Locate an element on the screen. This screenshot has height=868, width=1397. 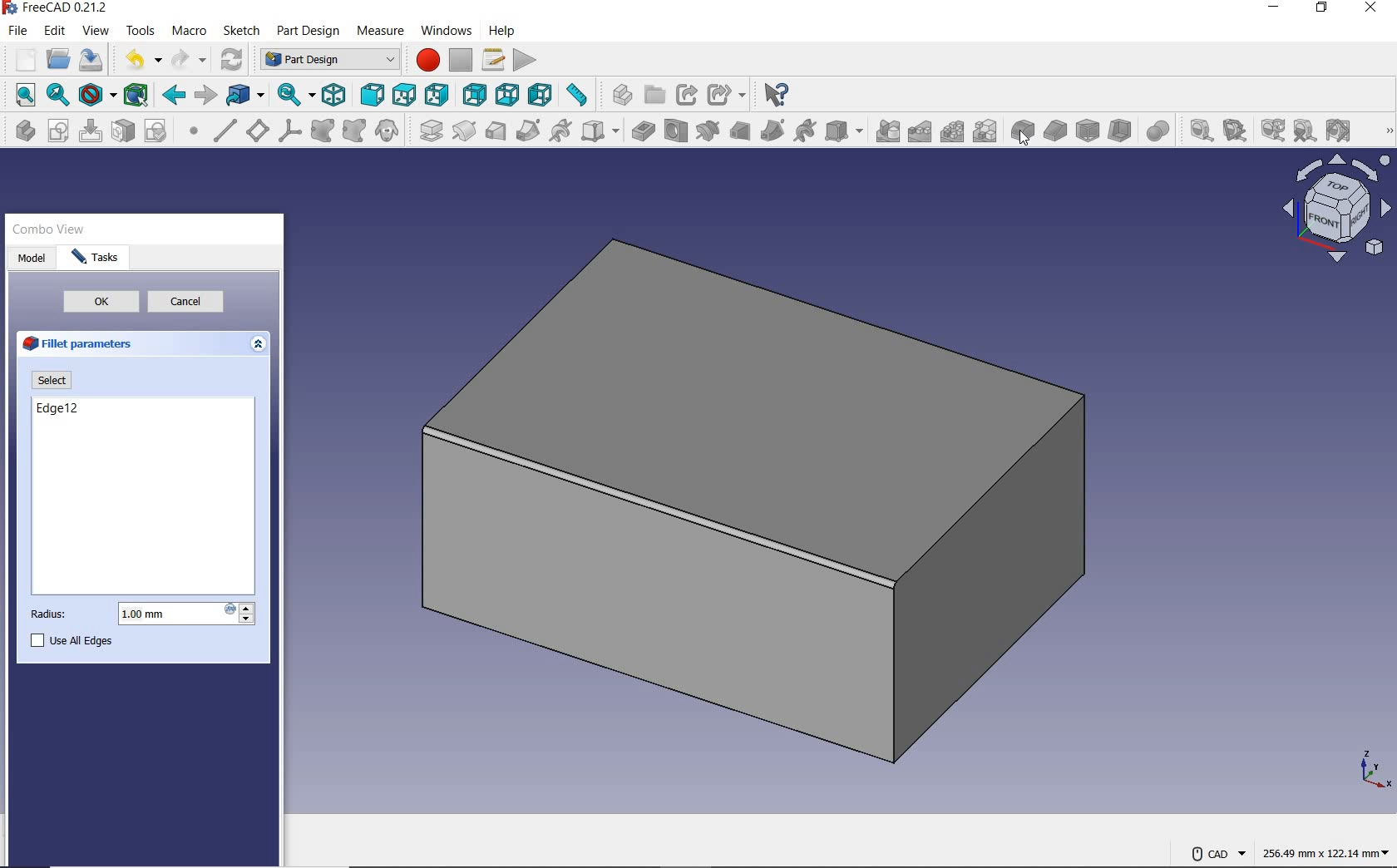
front is located at coordinates (373, 94).